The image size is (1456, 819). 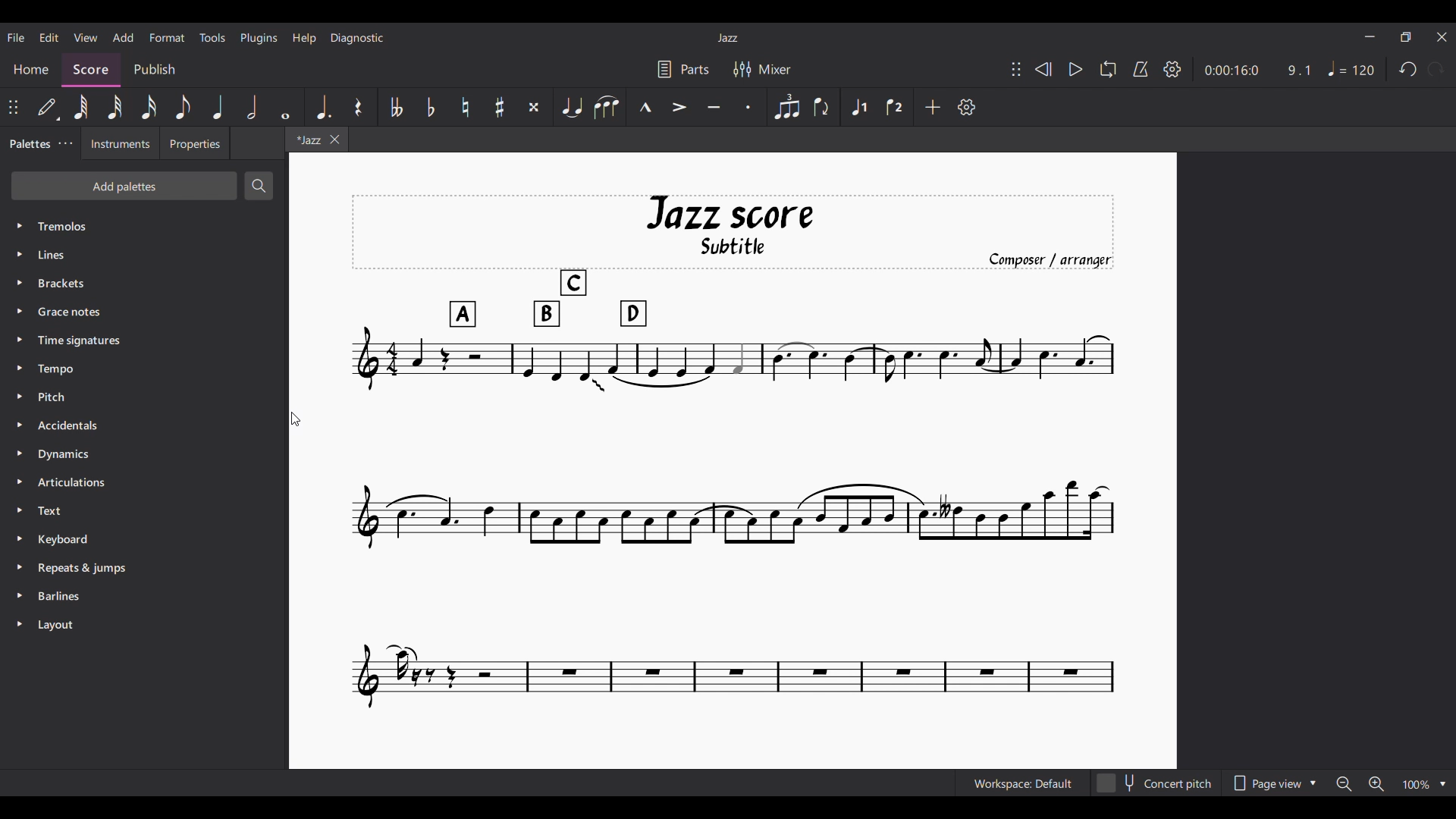 What do you see at coordinates (252, 107) in the screenshot?
I see `Half note` at bounding box center [252, 107].